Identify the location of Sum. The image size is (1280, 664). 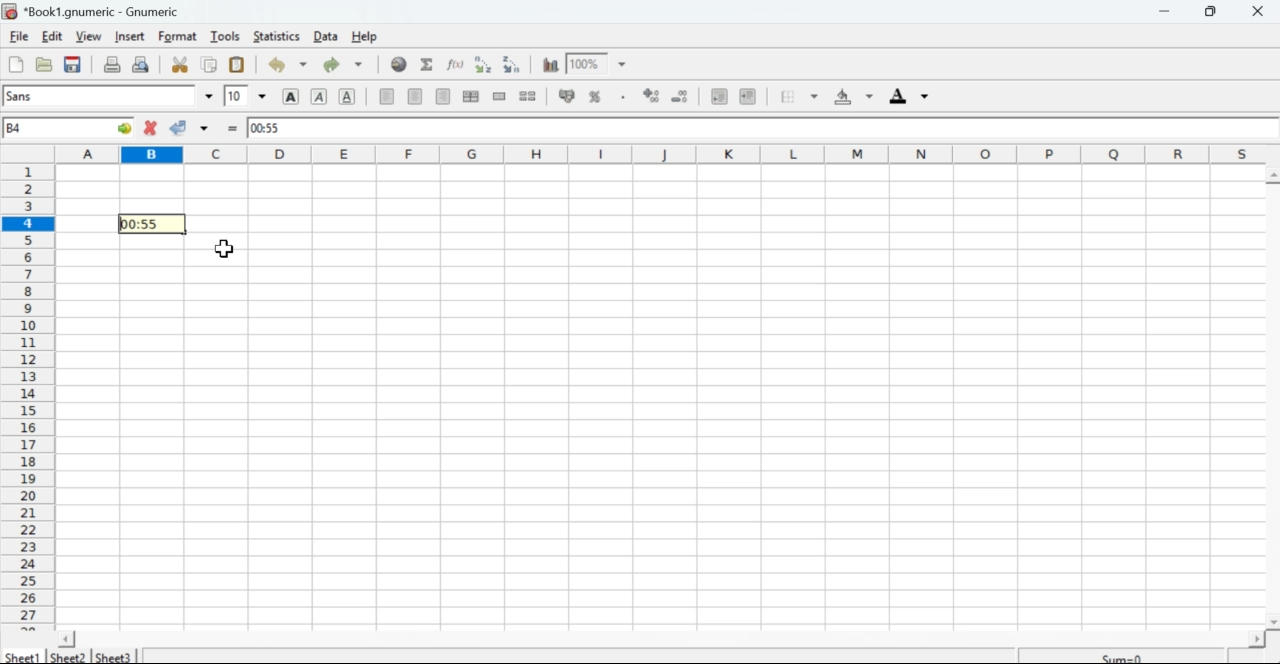
(1123, 655).